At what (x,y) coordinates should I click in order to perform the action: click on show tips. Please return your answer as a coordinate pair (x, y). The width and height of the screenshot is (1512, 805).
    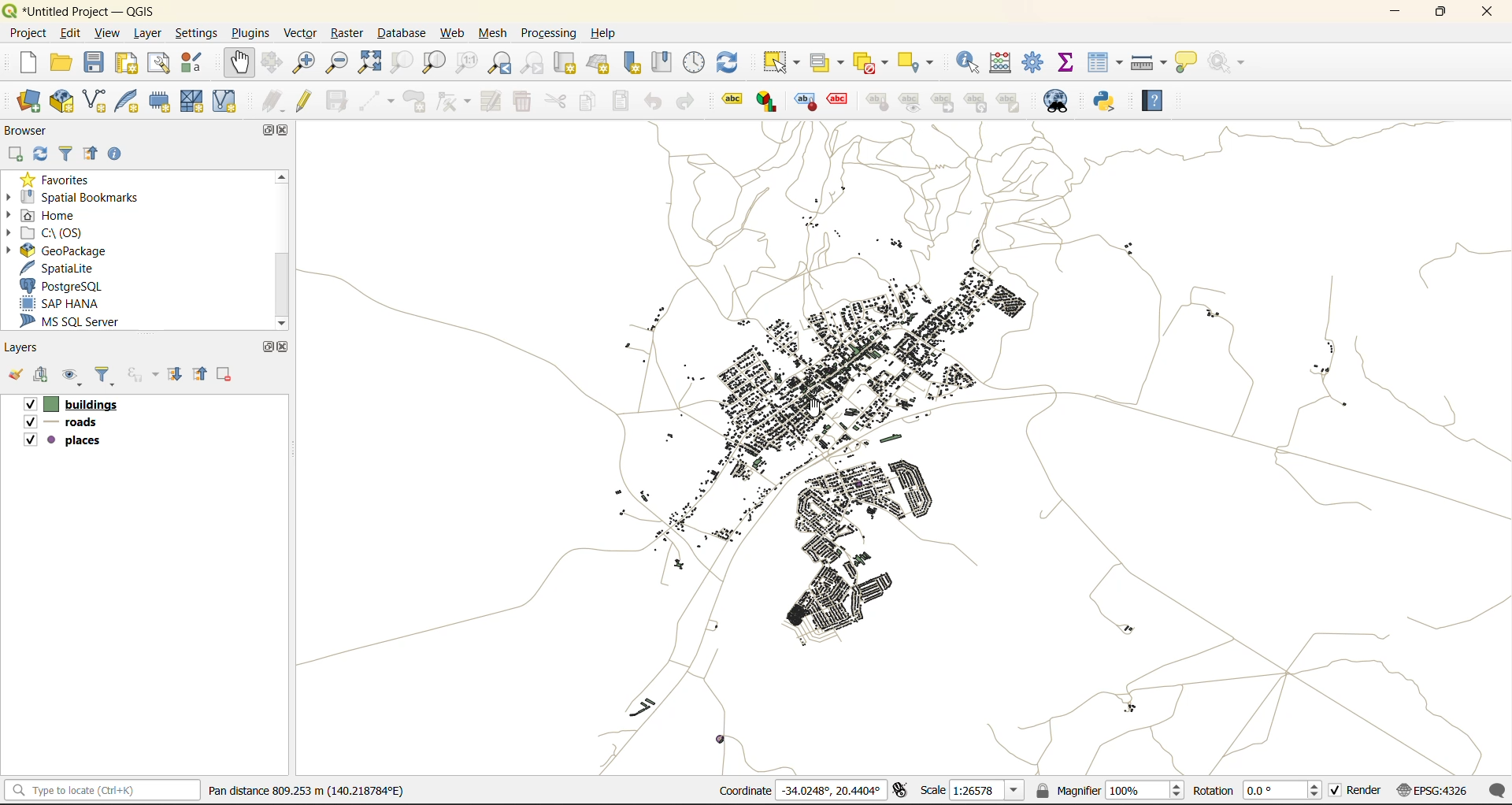
    Looking at the image, I should click on (1186, 63).